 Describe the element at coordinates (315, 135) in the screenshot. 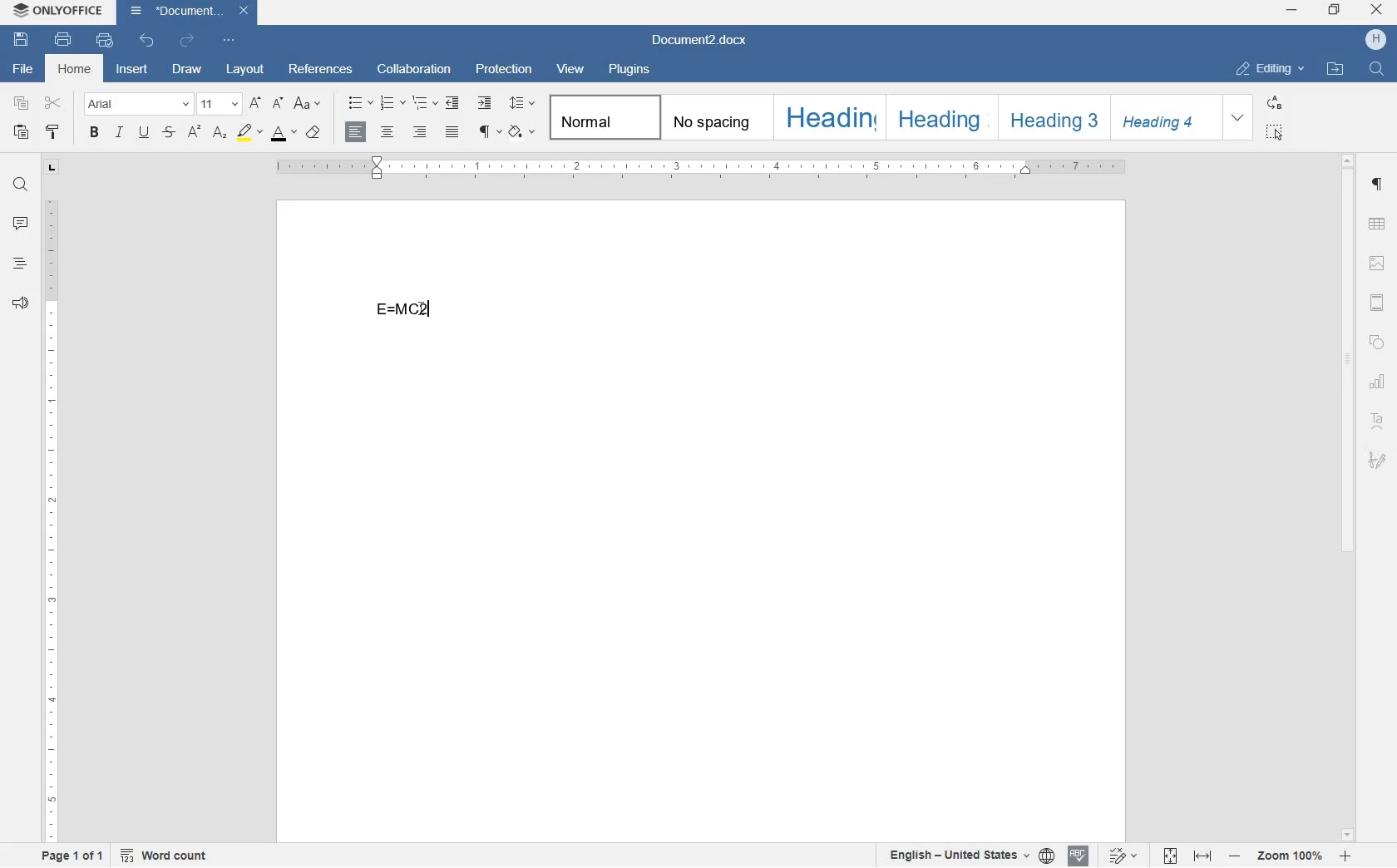

I see `case style` at that location.